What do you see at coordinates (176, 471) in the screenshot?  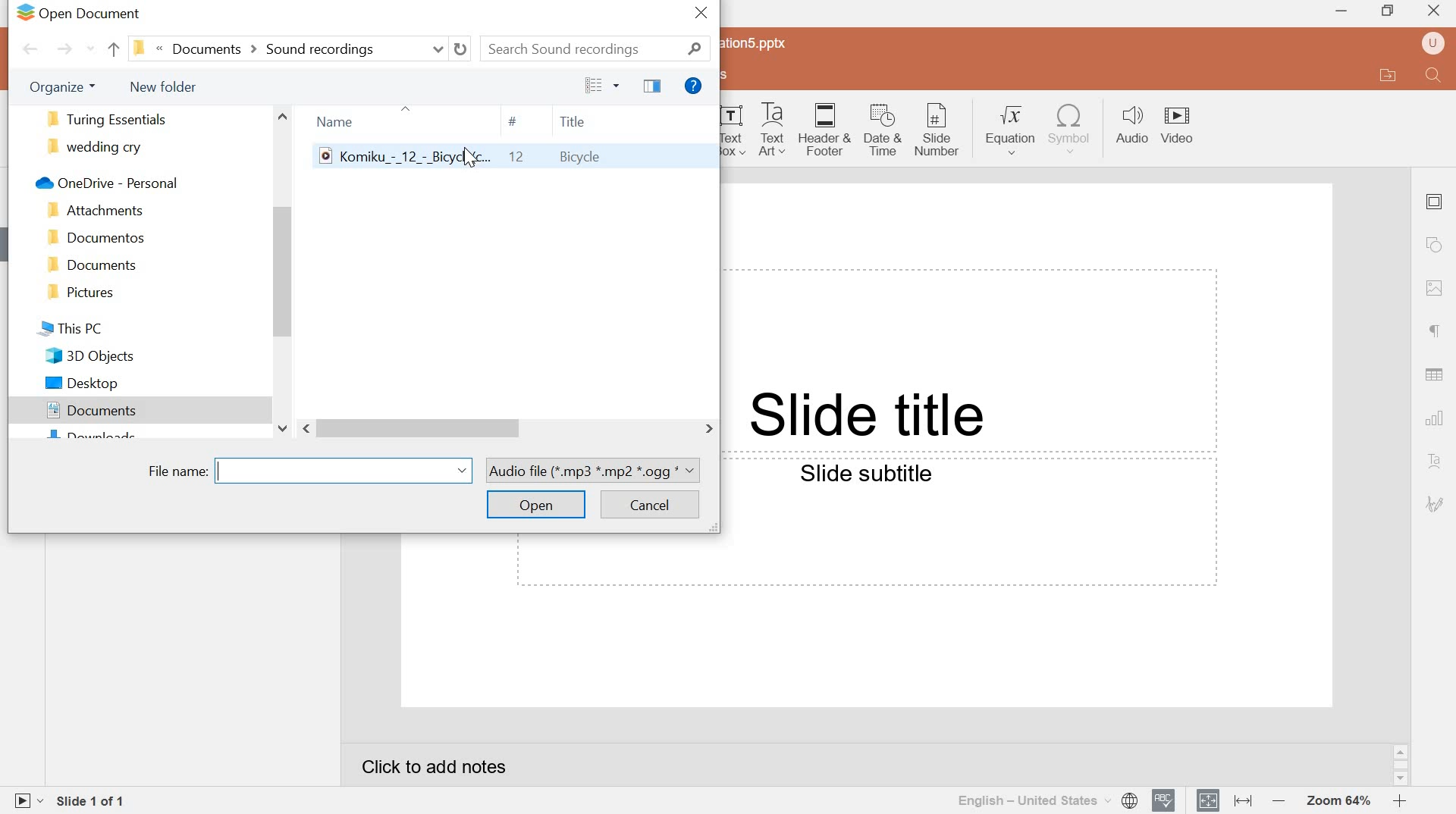 I see `file name` at bounding box center [176, 471].